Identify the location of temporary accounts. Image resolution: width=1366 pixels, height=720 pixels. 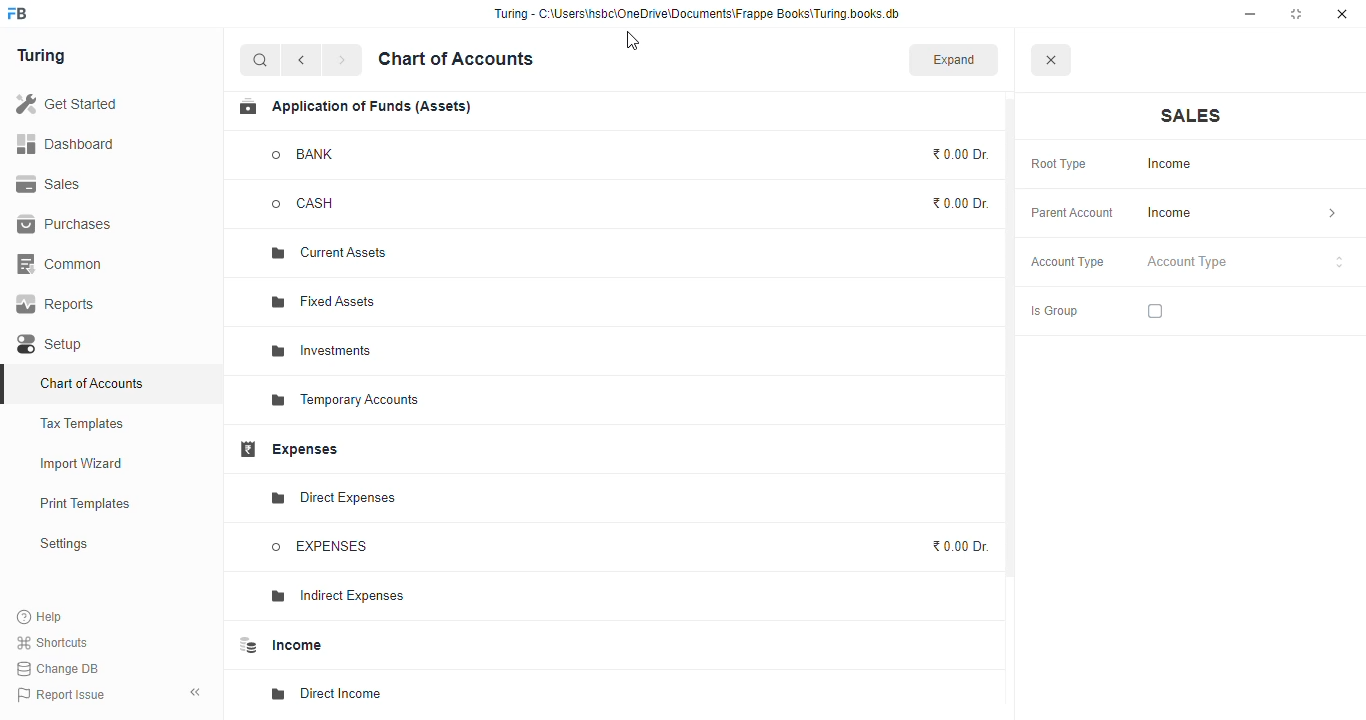
(345, 401).